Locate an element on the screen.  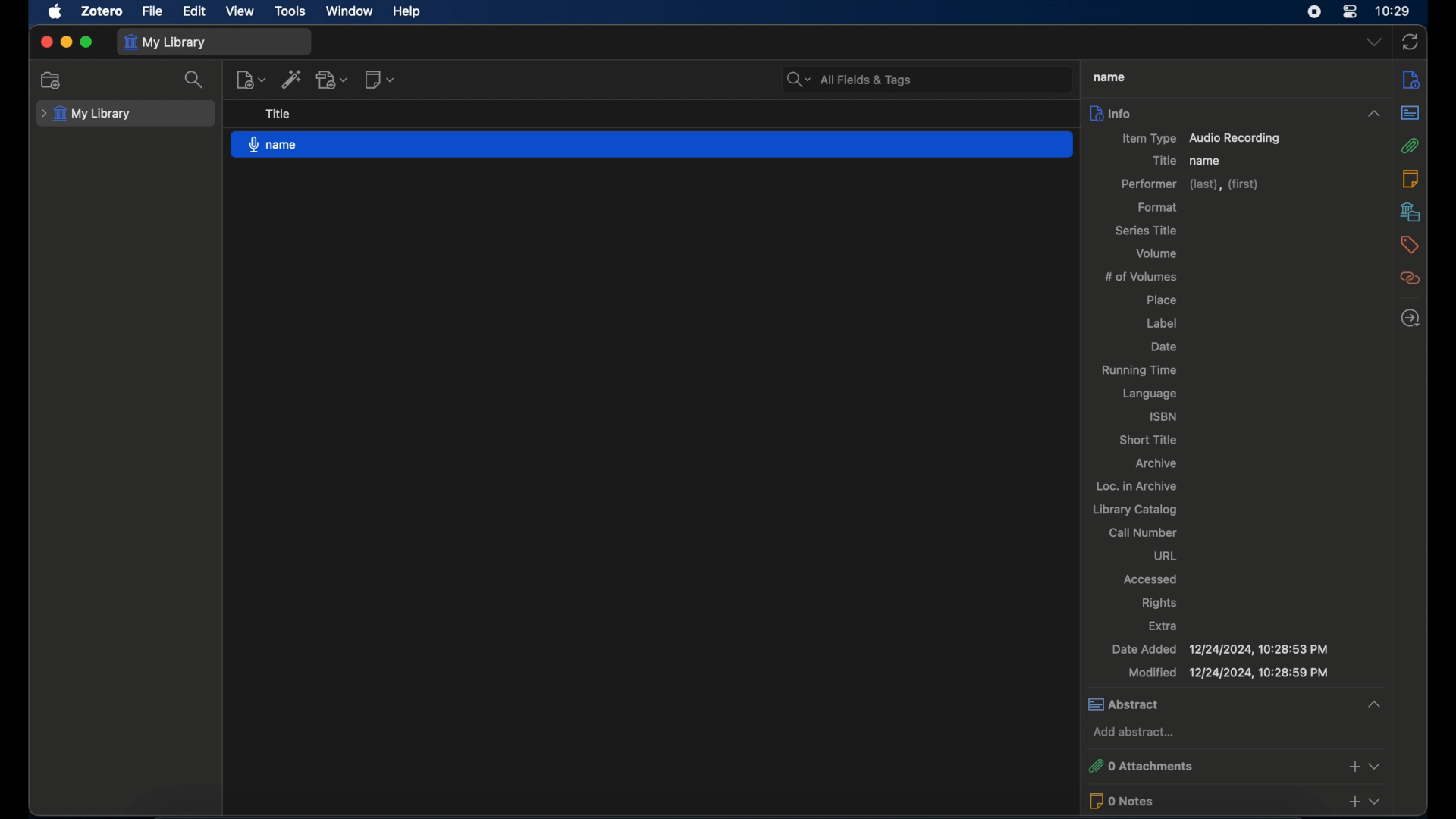
name is located at coordinates (652, 143).